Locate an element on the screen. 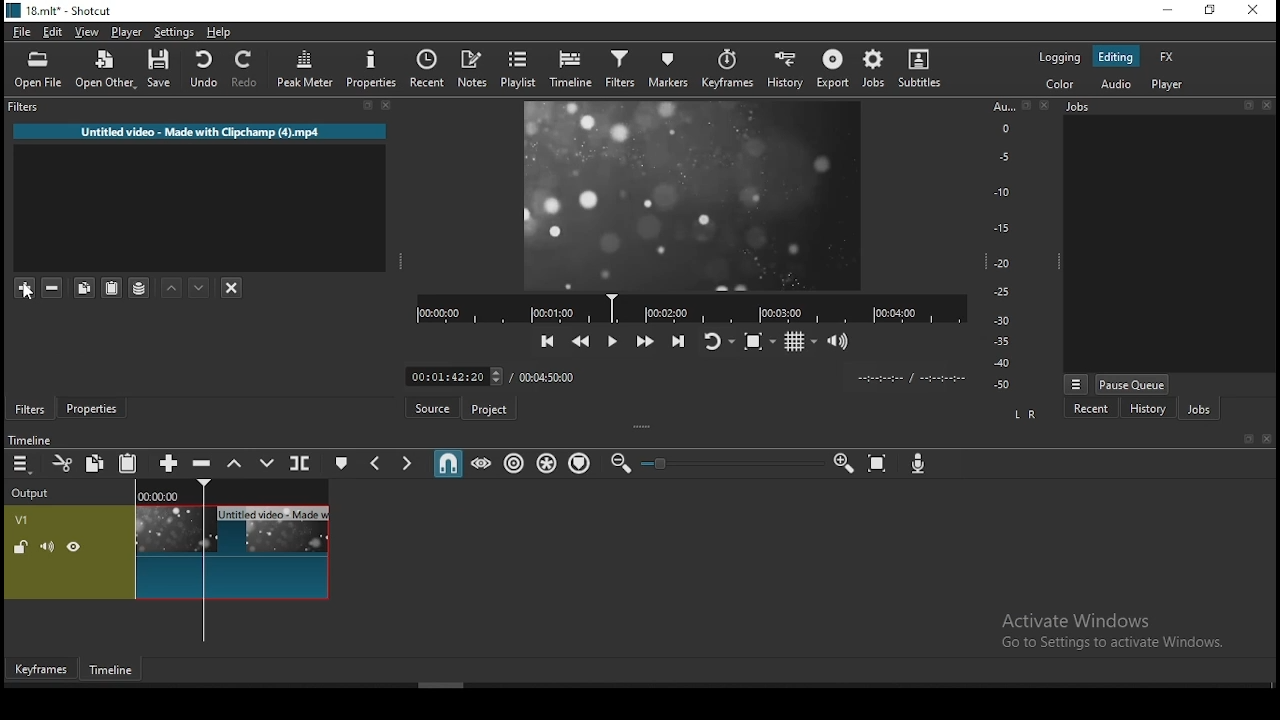 The image size is (1280, 720). ripple markers is located at coordinates (582, 464).